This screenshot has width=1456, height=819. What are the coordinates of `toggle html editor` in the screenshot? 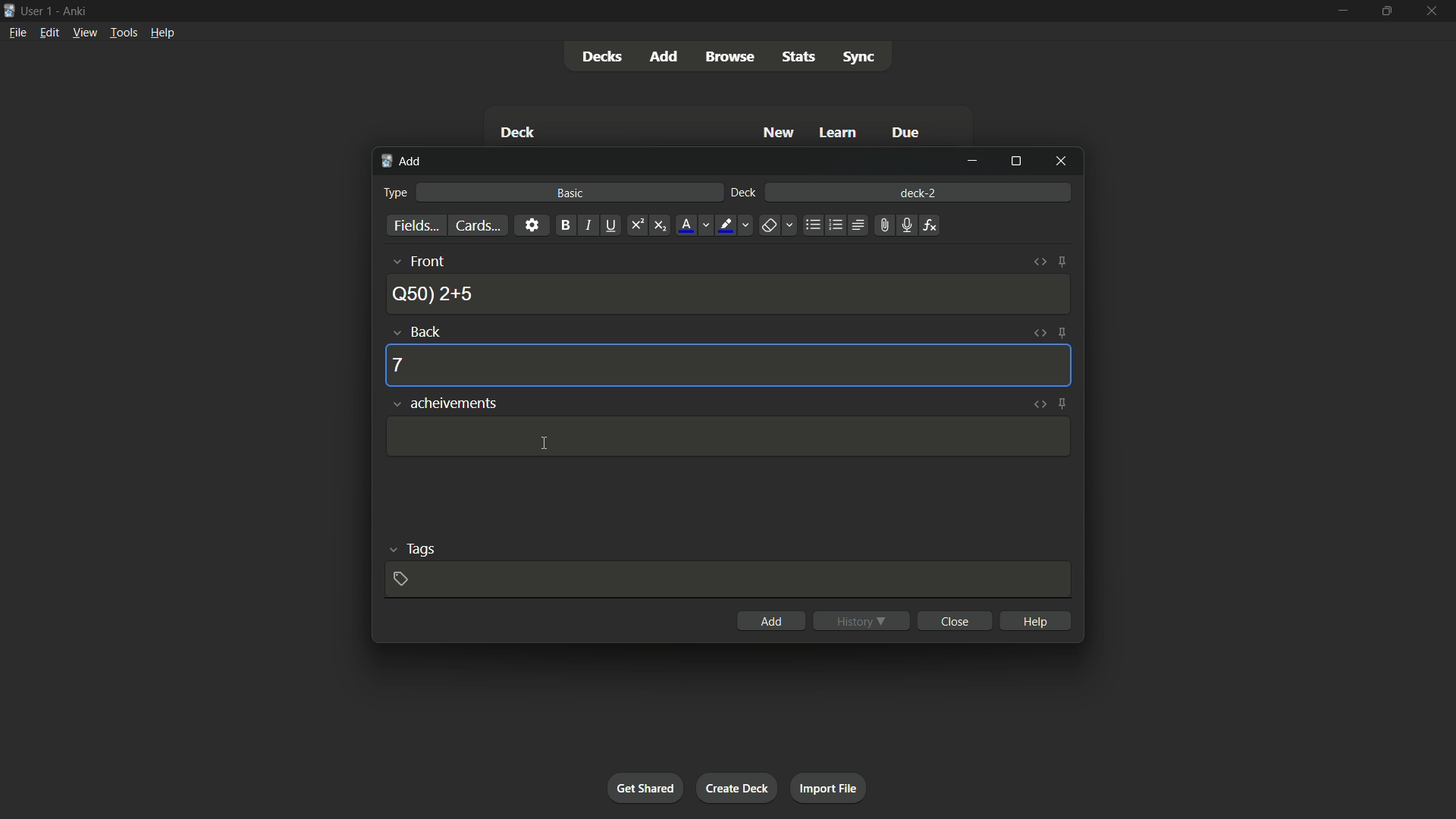 It's located at (1039, 405).